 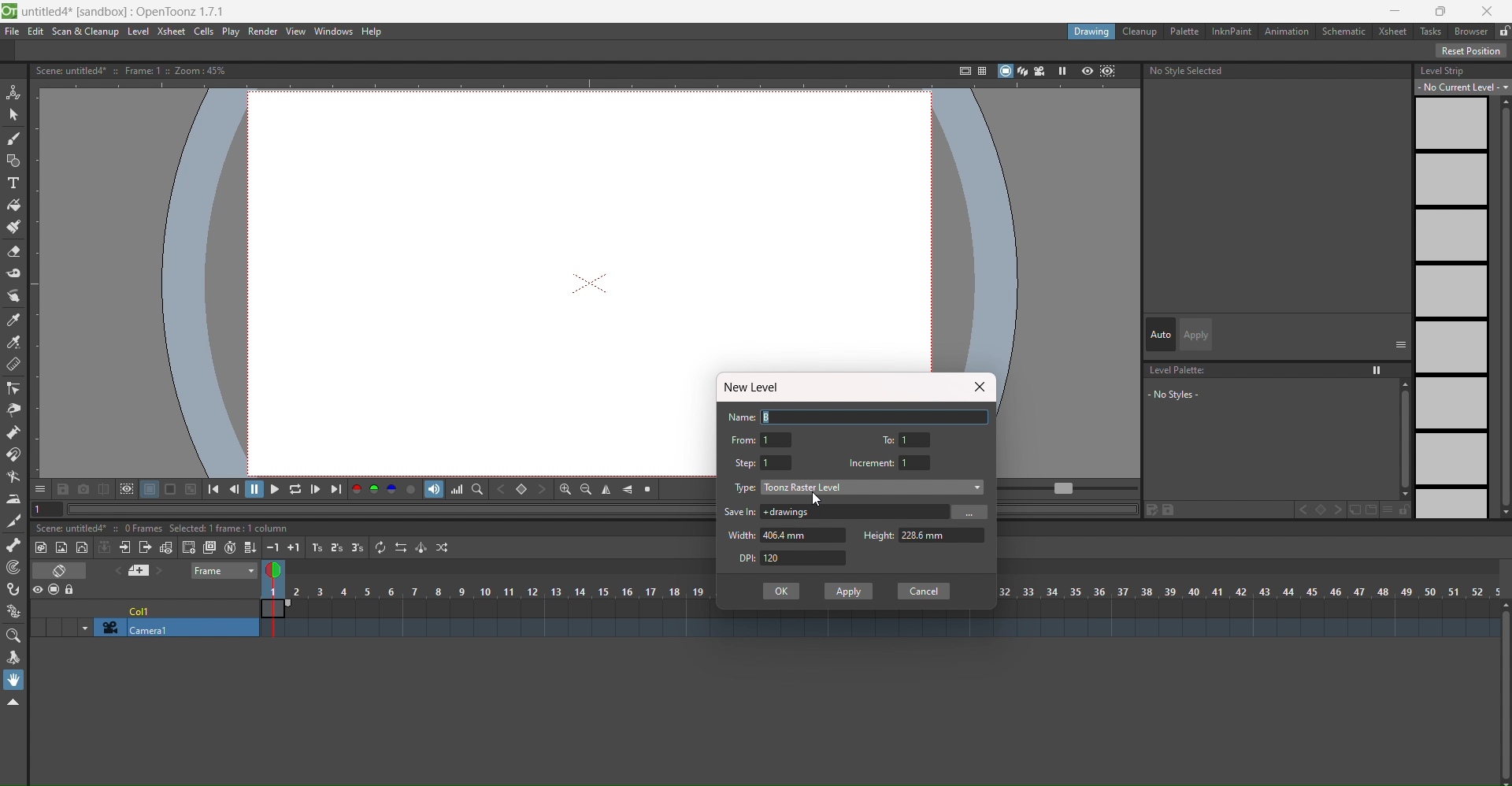 What do you see at coordinates (165, 528) in the screenshot?
I see `text` at bounding box center [165, 528].